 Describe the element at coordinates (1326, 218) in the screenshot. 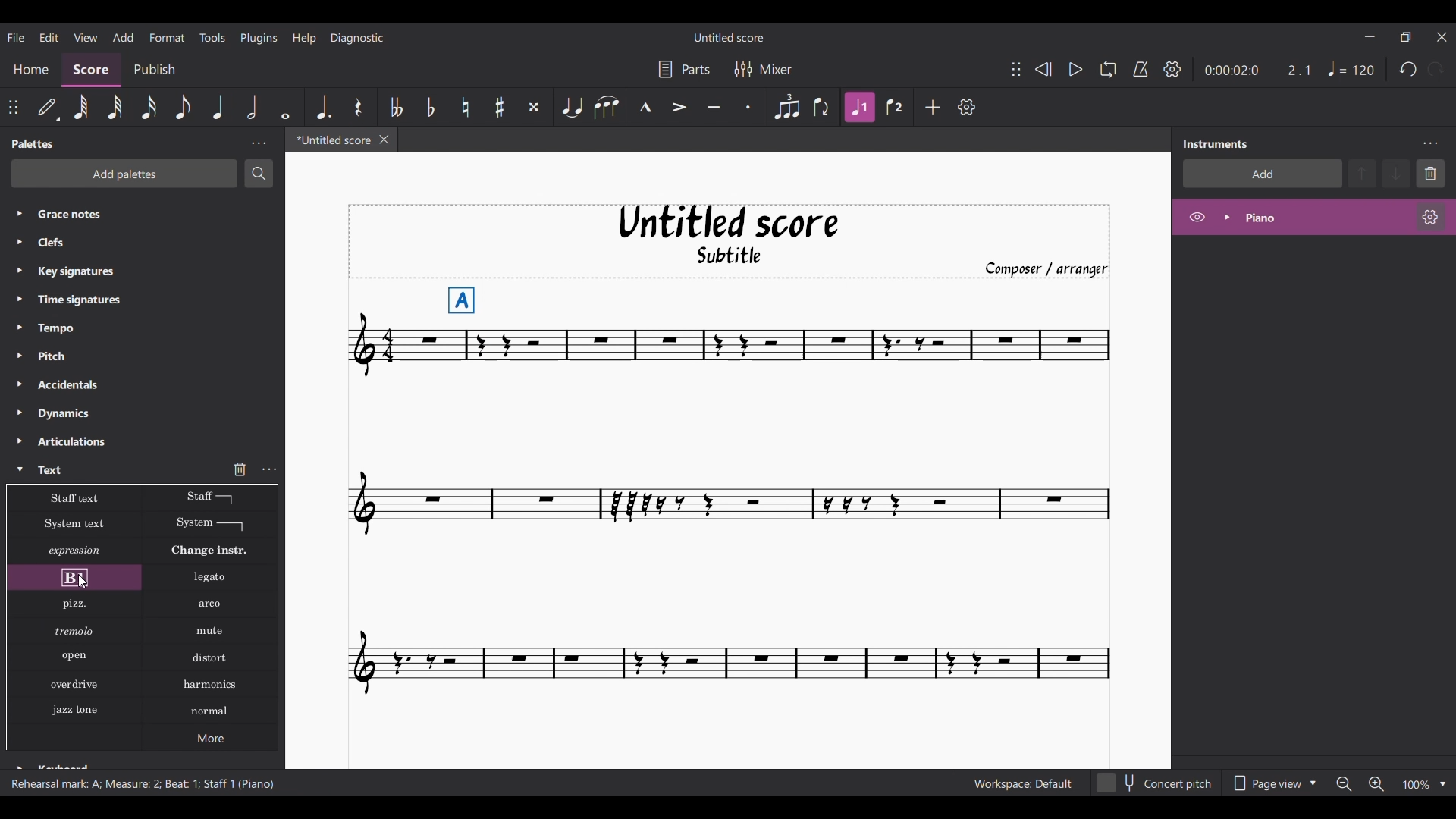

I see `Current instrument, highlighted` at that location.